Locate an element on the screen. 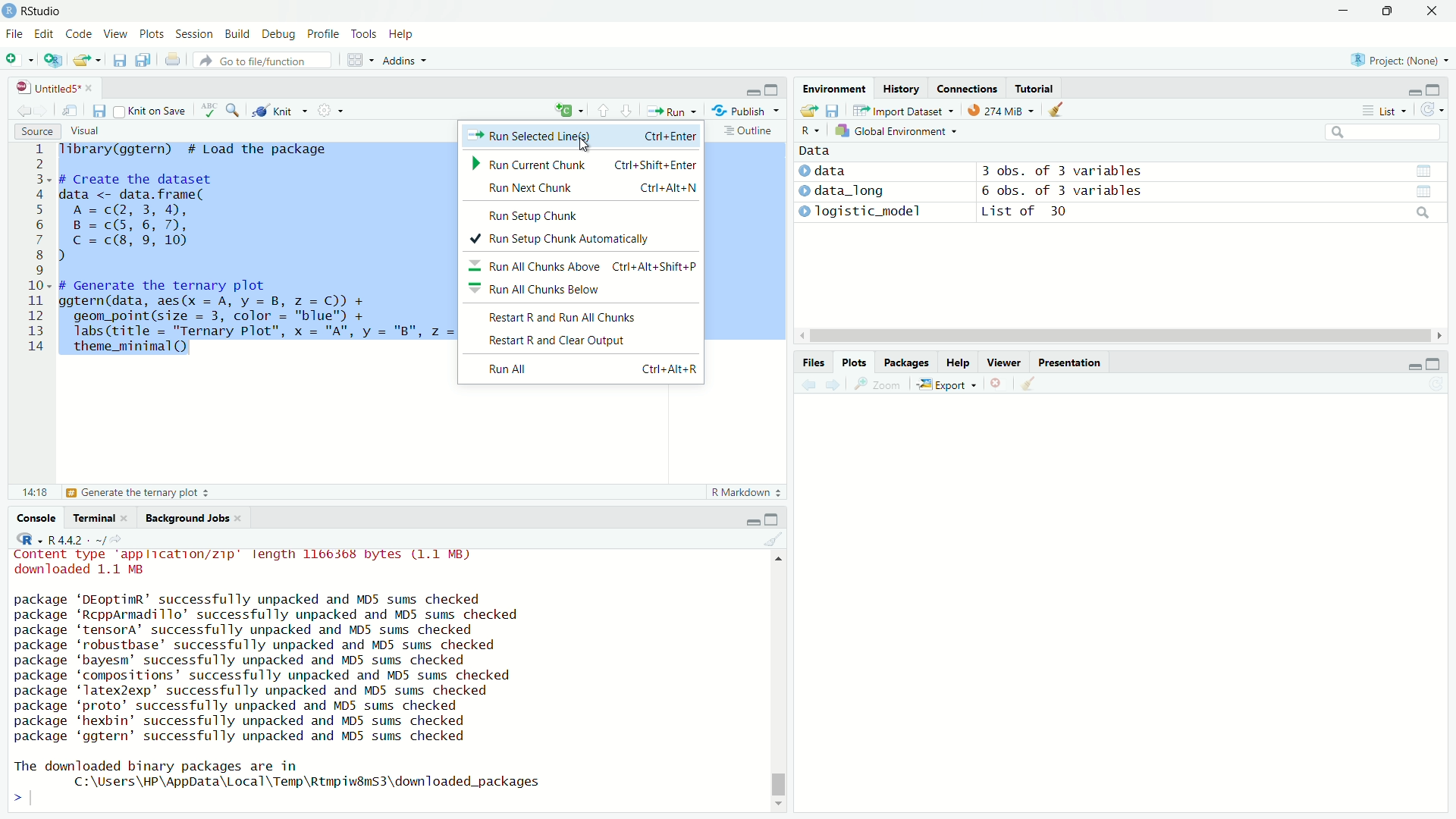  R~ is located at coordinates (808, 129).